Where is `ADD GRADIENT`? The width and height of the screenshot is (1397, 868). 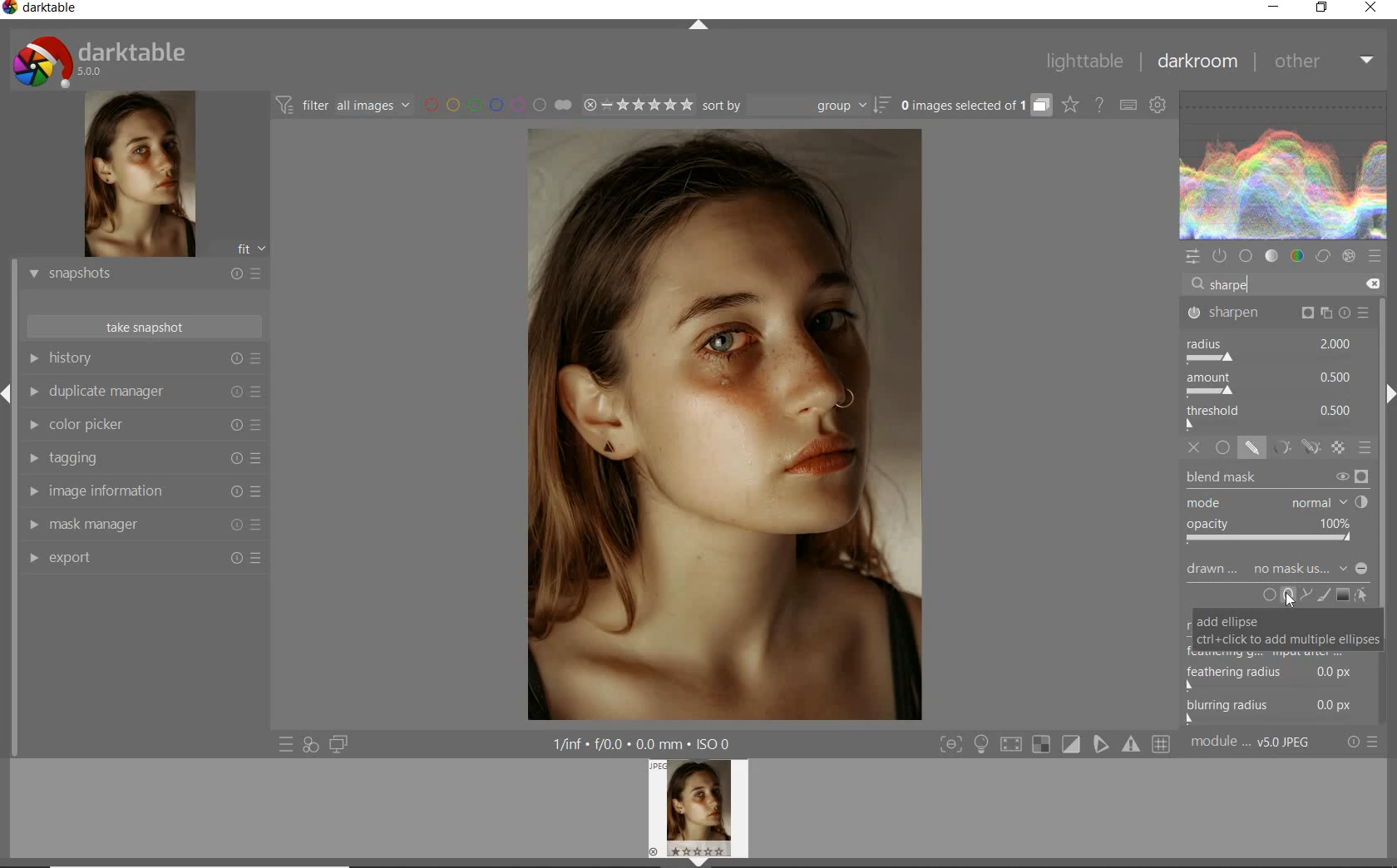 ADD GRADIENT is located at coordinates (1343, 595).